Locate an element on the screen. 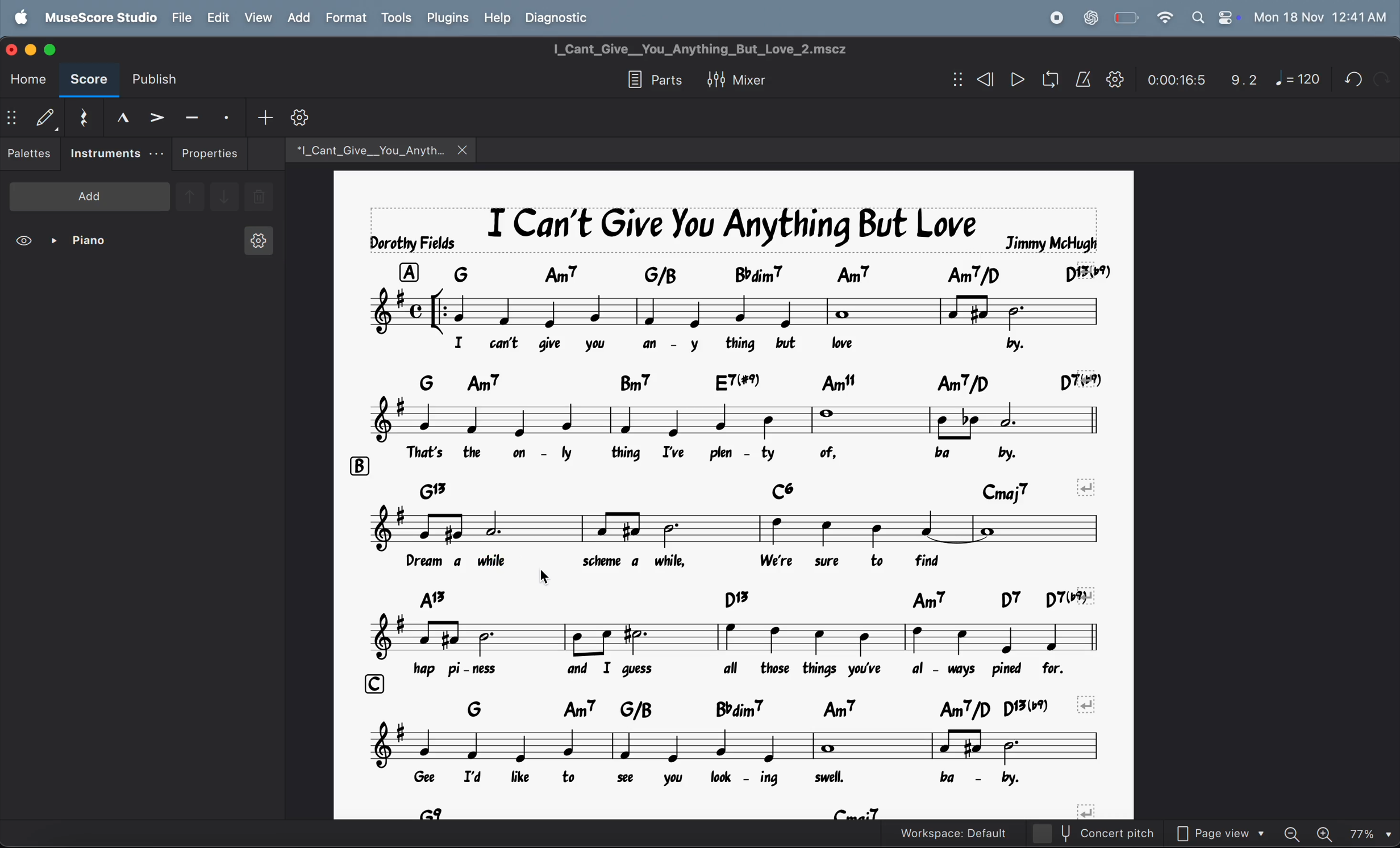 The height and width of the screenshot is (848, 1400). battery is located at coordinates (1126, 16).